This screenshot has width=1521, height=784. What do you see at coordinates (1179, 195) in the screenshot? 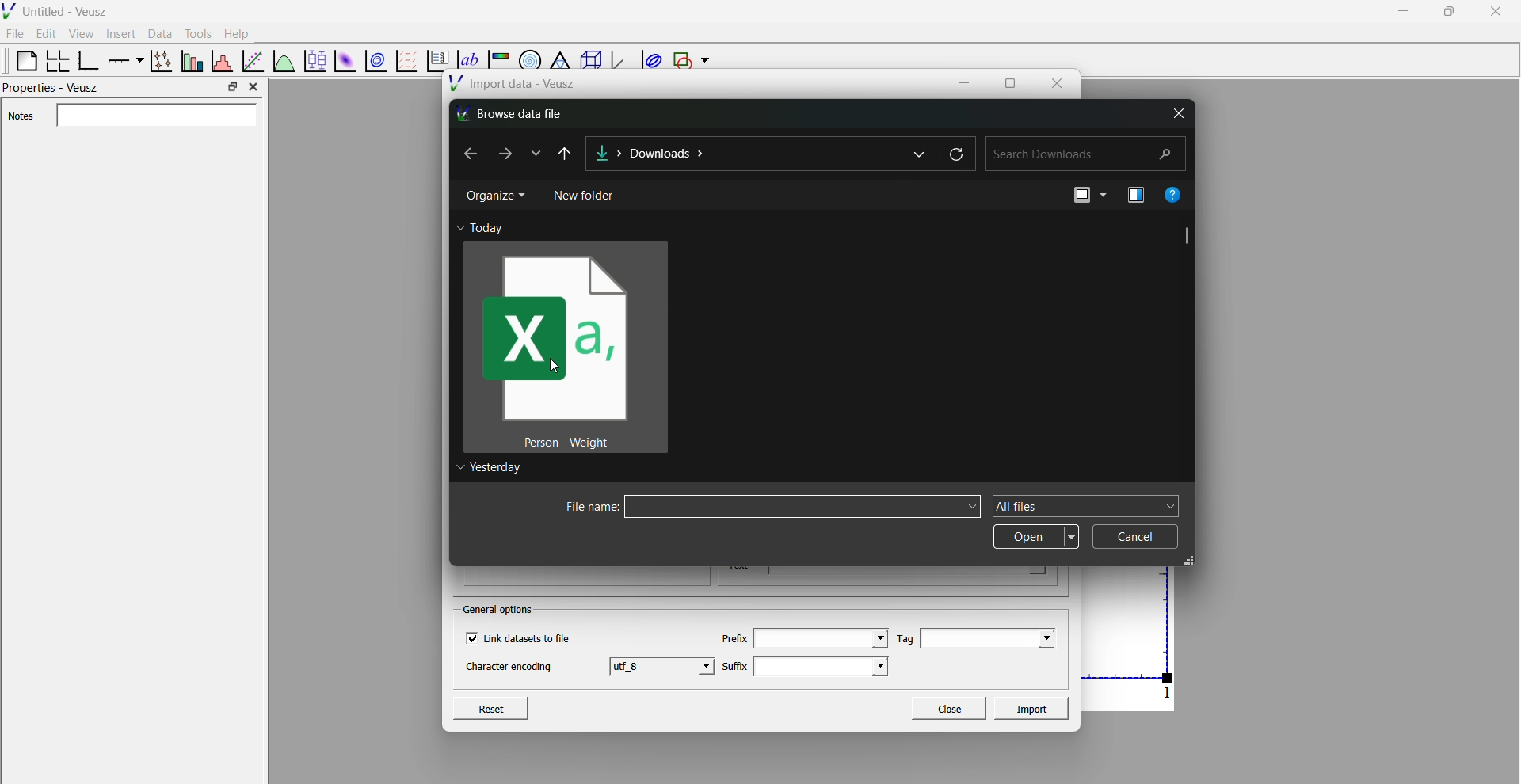
I see `HELP` at bounding box center [1179, 195].